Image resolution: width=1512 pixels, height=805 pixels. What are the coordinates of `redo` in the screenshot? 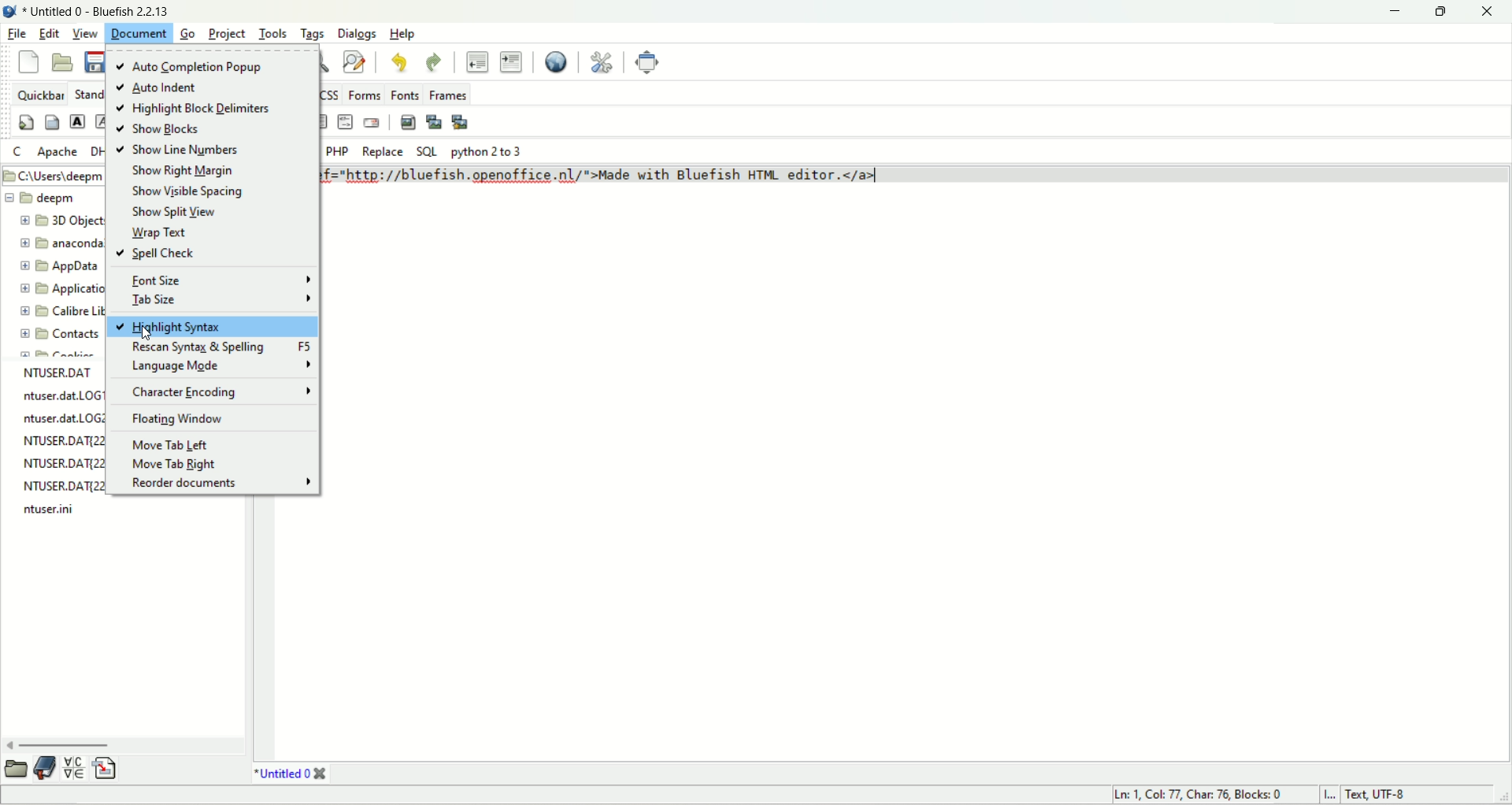 It's located at (435, 62).